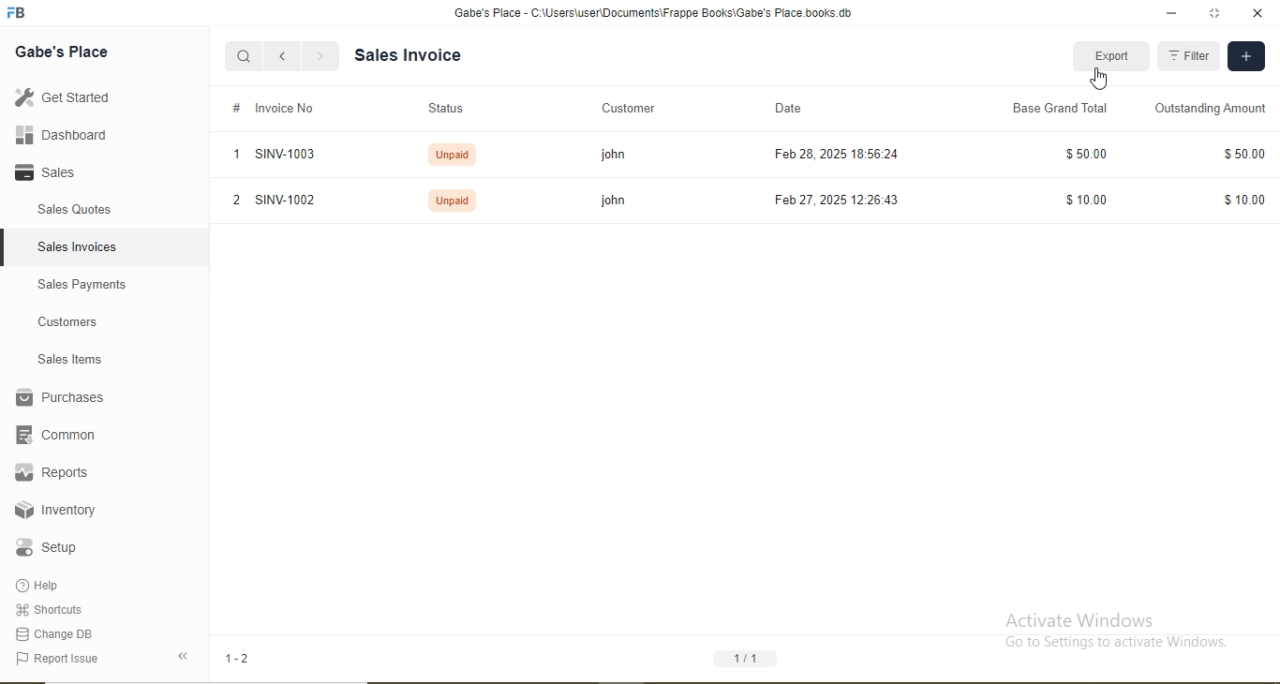 This screenshot has height=684, width=1280. Describe the element at coordinates (54, 547) in the screenshot. I see `Setup` at that location.